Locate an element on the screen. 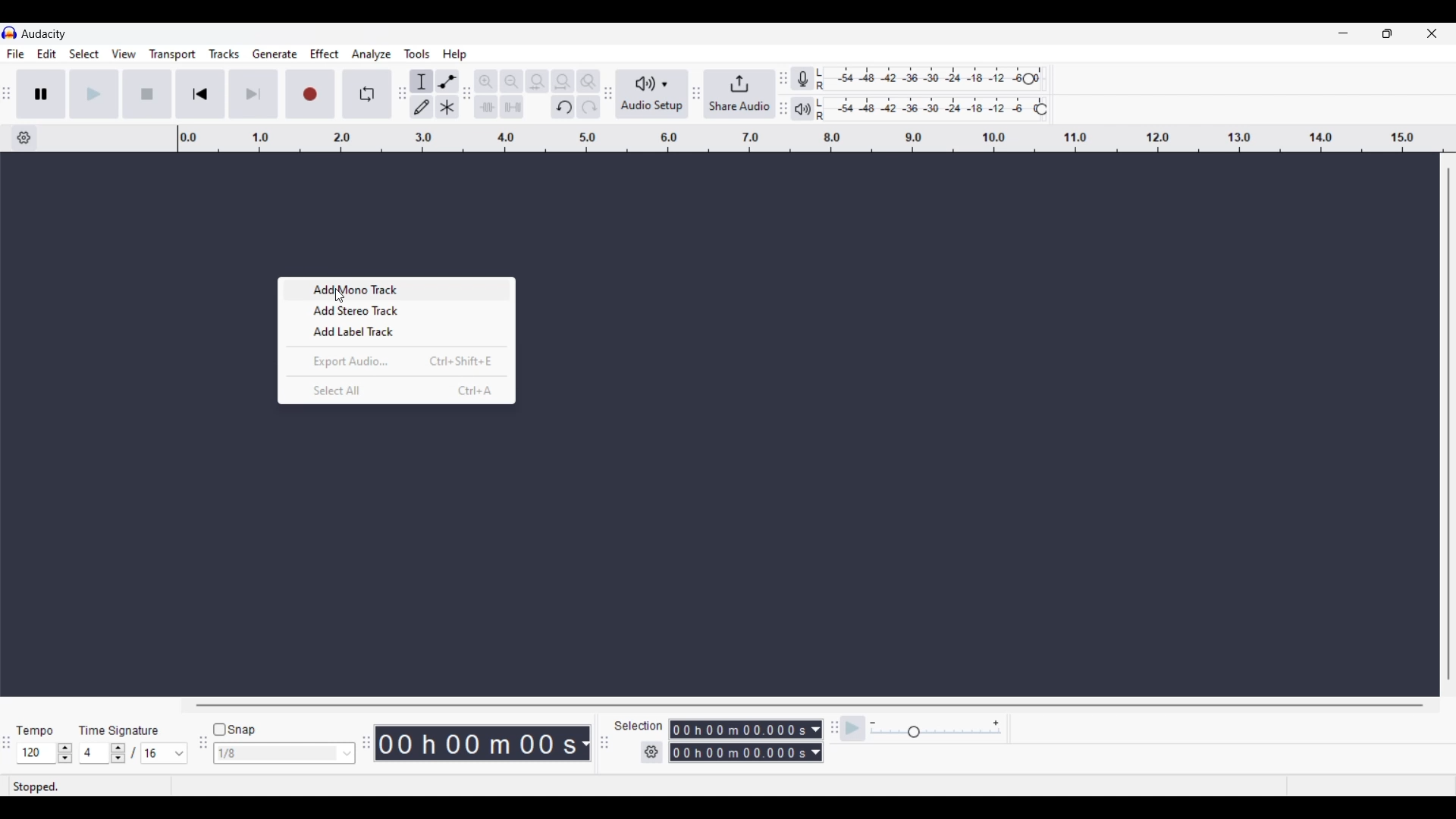  Add mono track is located at coordinates (398, 290).